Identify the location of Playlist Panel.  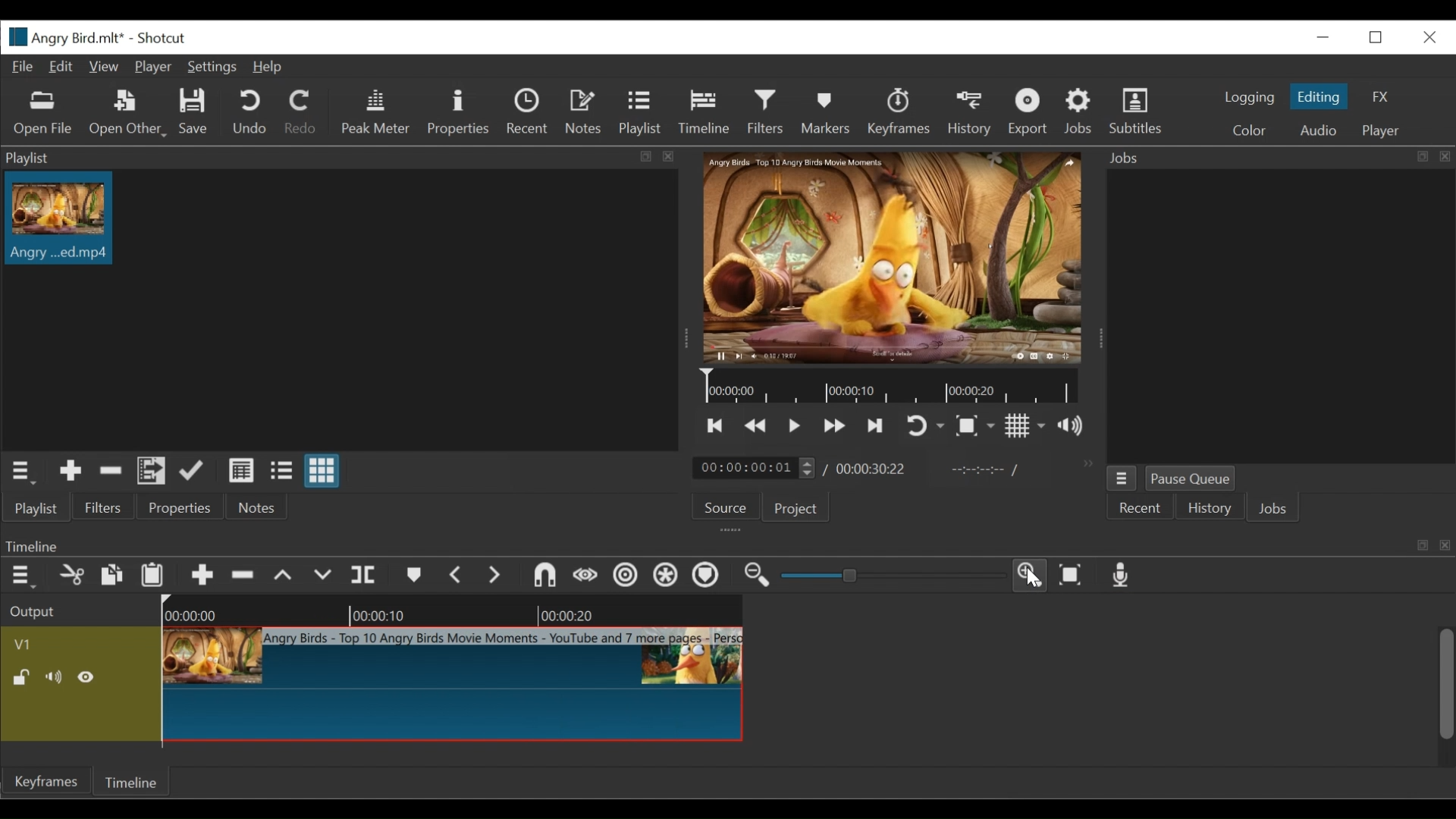
(348, 155).